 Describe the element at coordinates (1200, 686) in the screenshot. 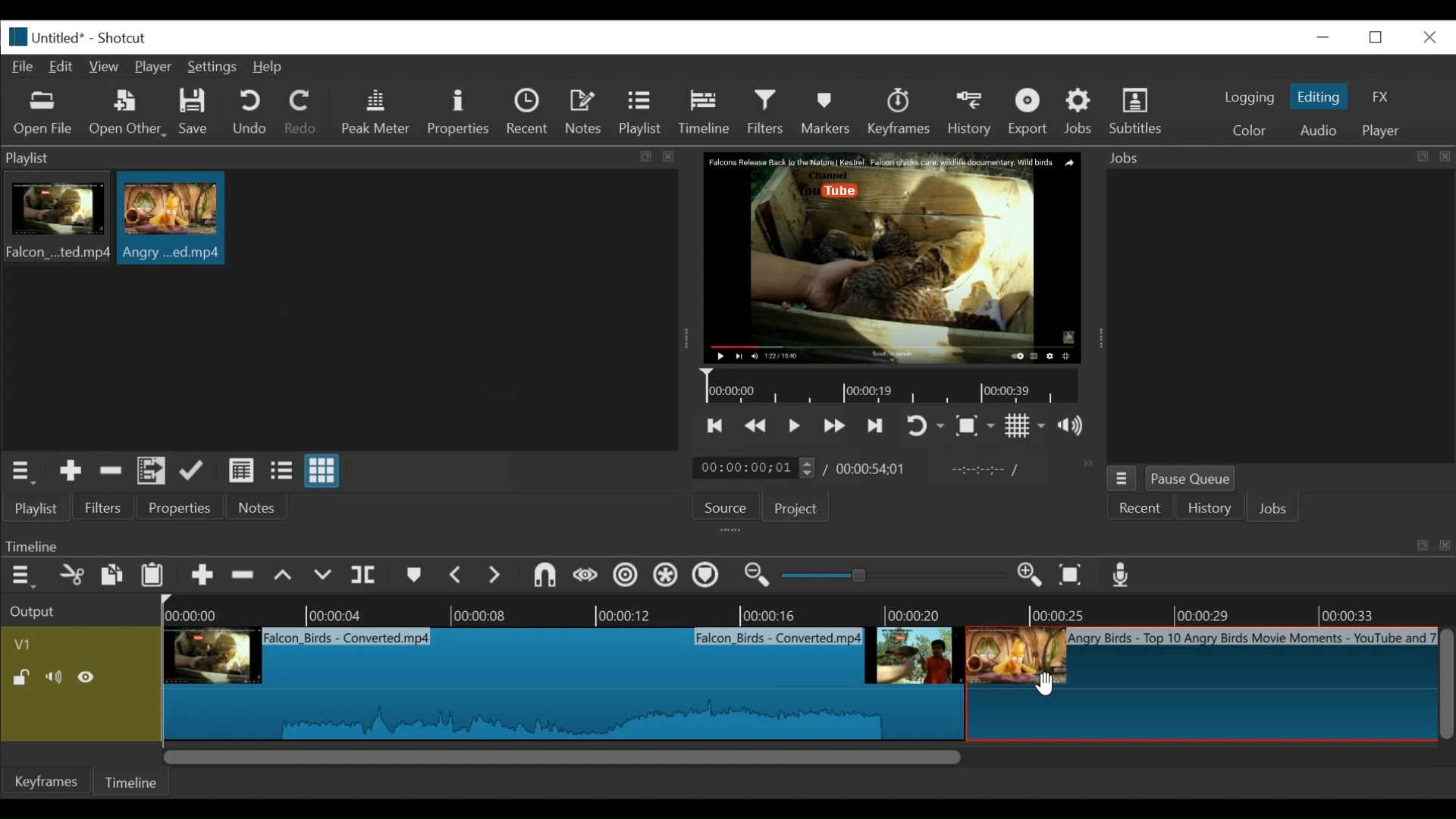

I see `clip` at that location.